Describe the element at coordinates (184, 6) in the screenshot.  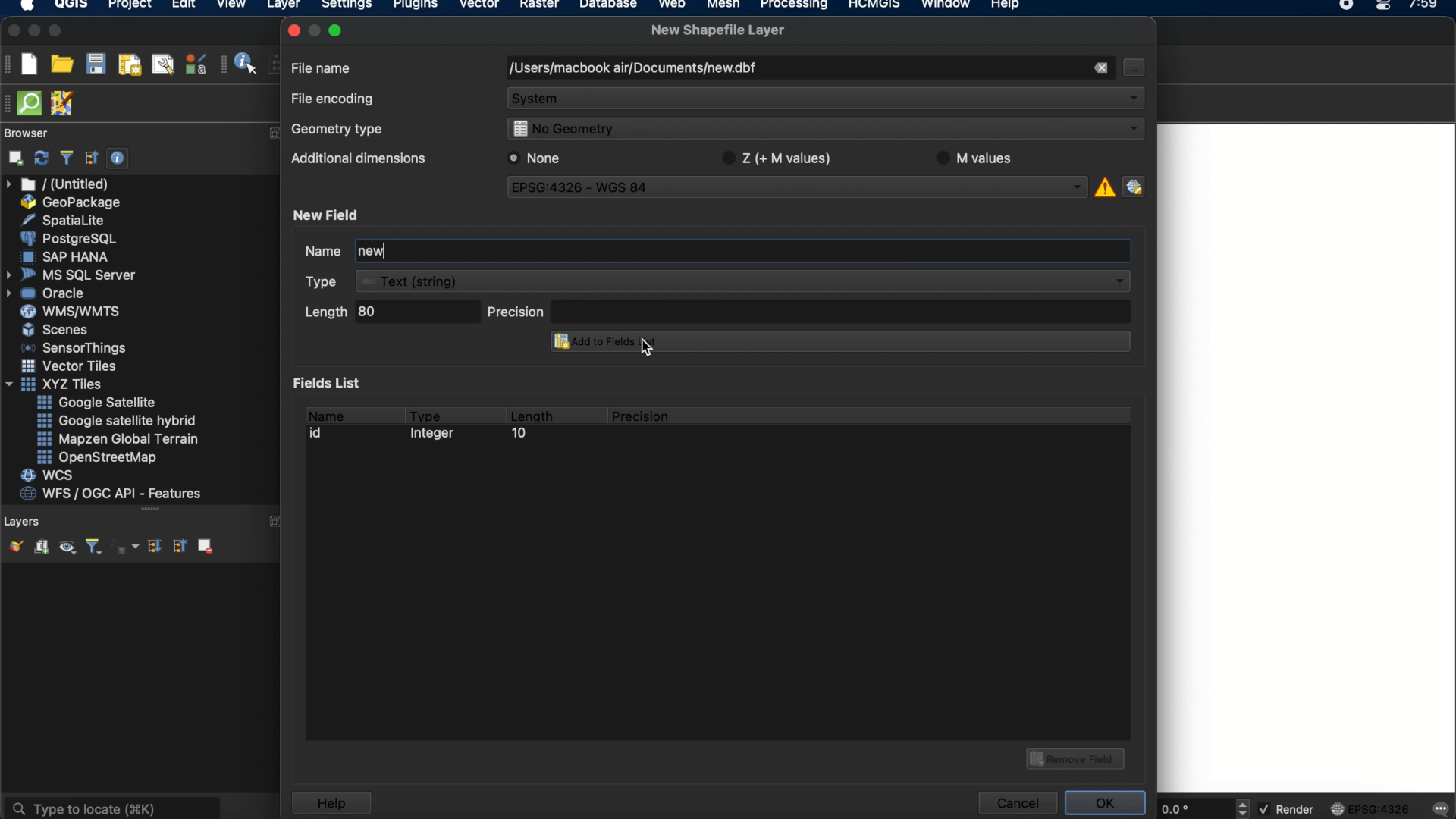
I see `edit` at that location.